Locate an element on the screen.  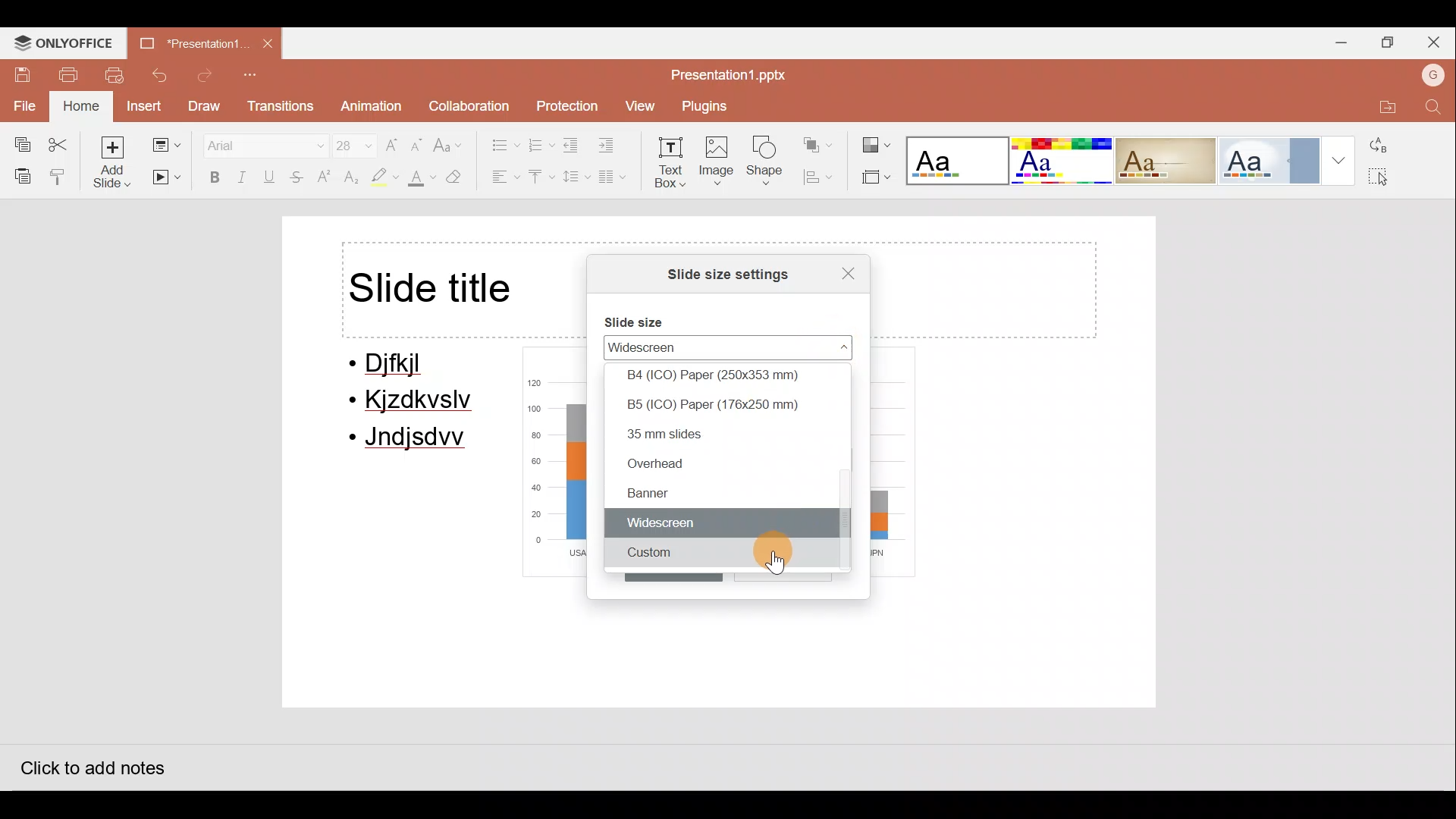
Slide size settings is located at coordinates (717, 273).